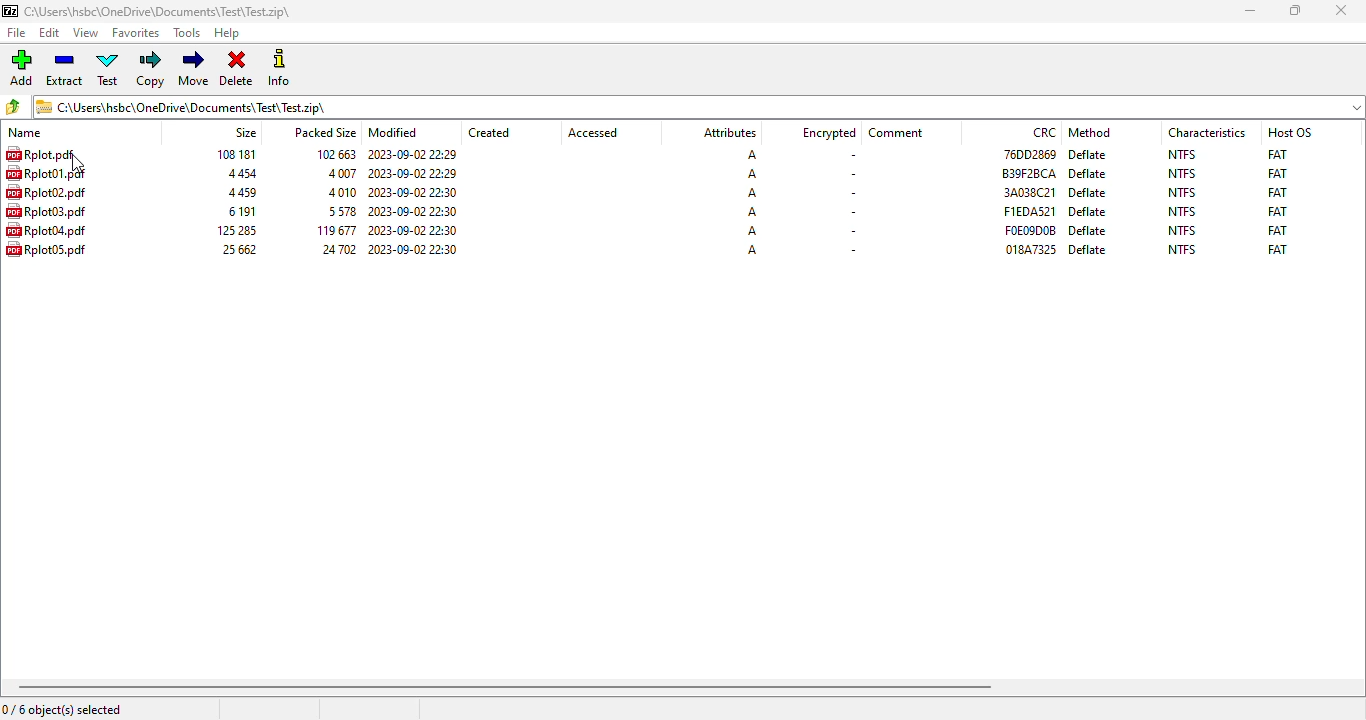  Describe the element at coordinates (65, 70) in the screenshot. I see `extract` at that location.